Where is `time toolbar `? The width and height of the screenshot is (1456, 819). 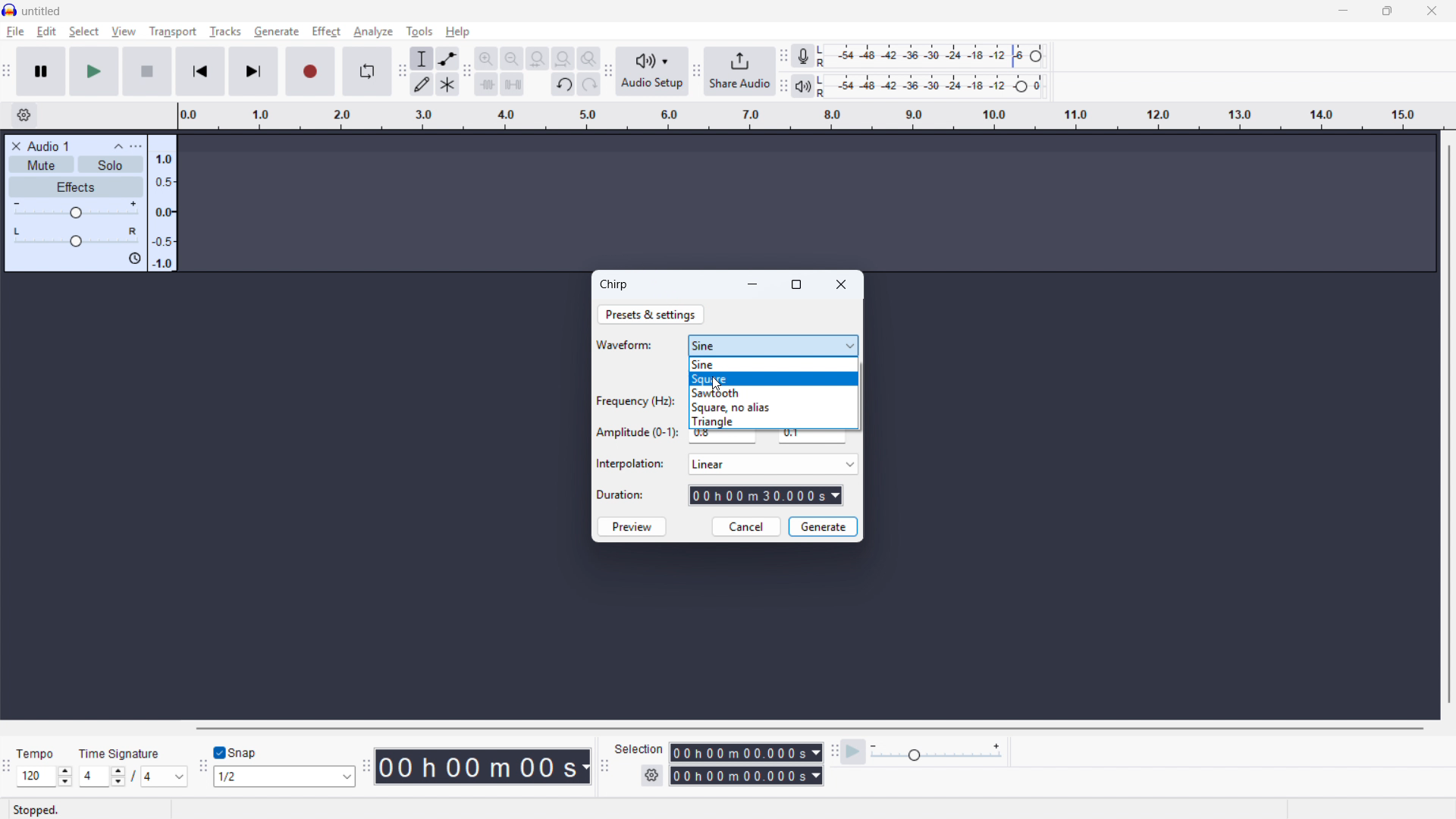
time toolbar  is located at coordinates (366, 767).